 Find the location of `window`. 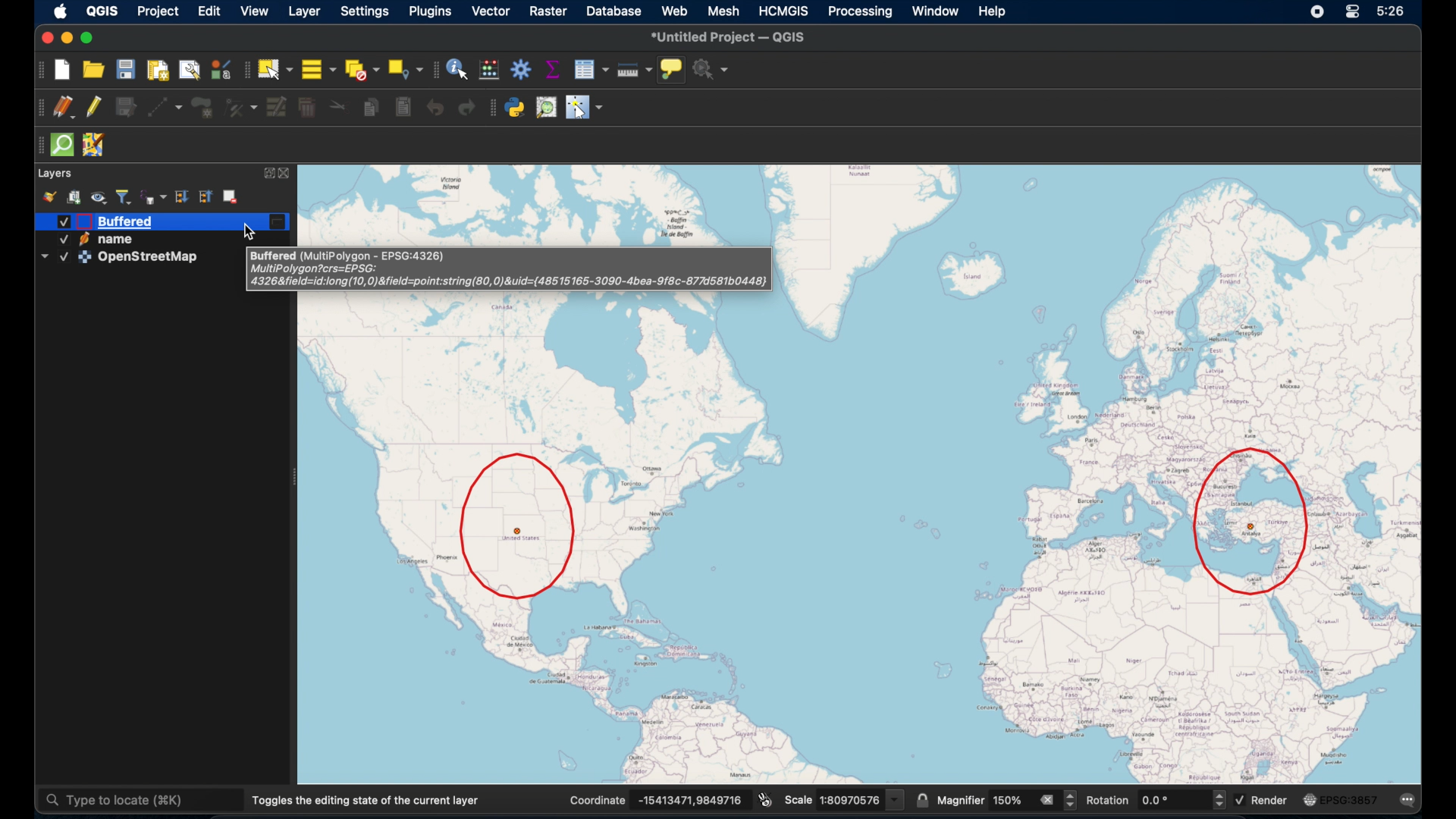

window is located at coordinates (934, 11).